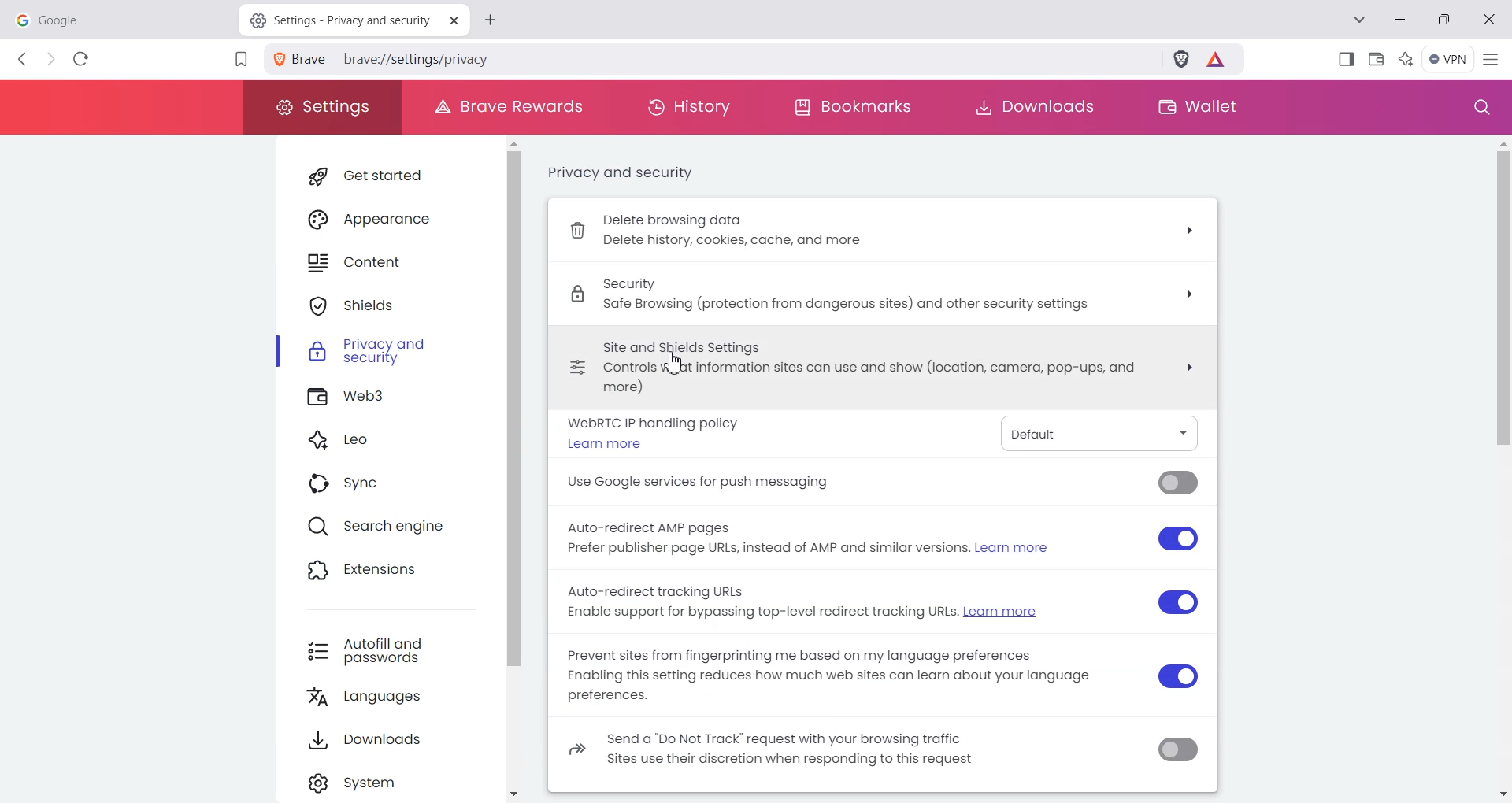 Image resolution: width=1512 pixels, height=803 pixels. Describe the element at coordinates (396, 699) in the screenshot. I see `Languages` at that location.